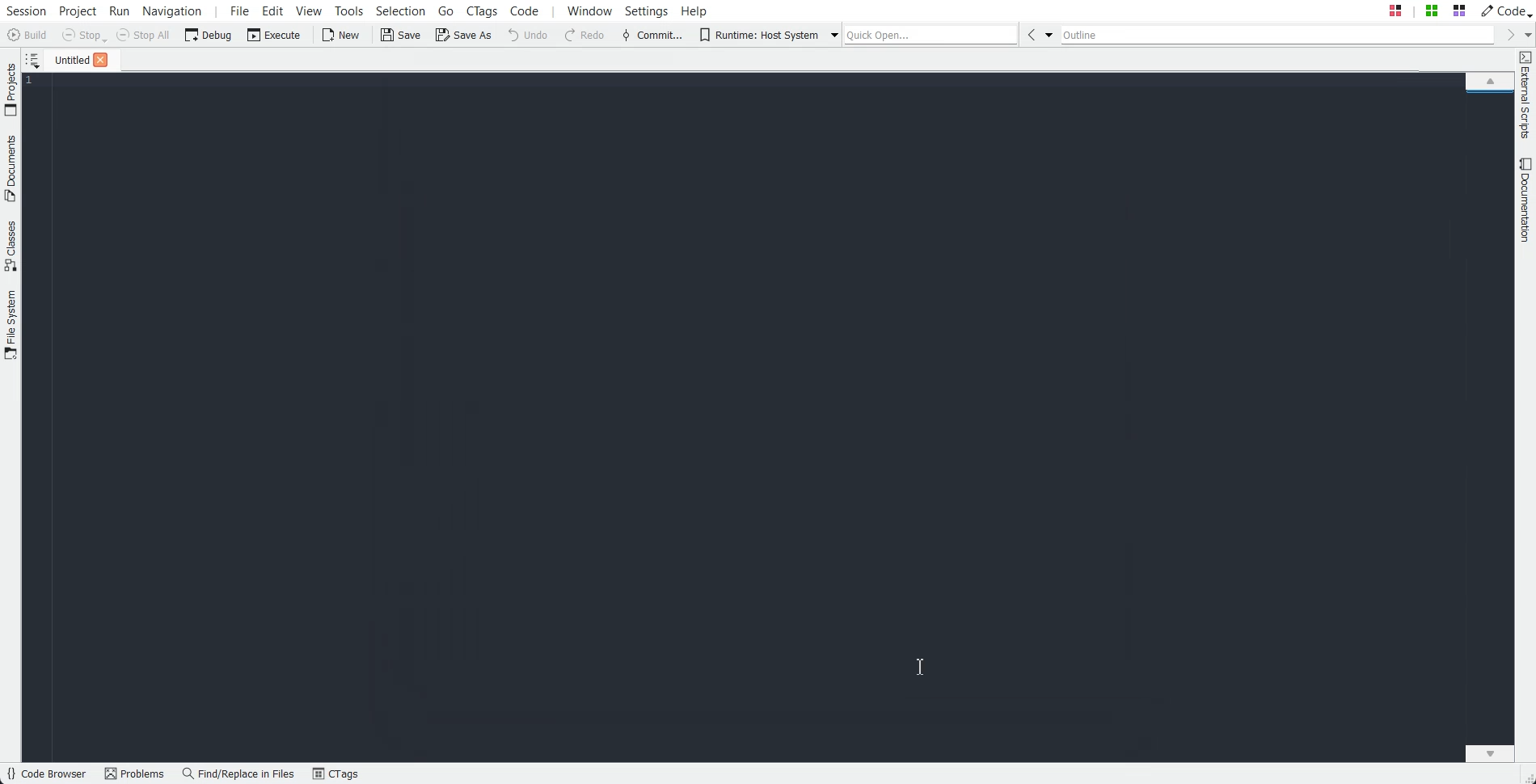 The height and width of the screenshot is (784, 1536). Describe the element at coordinates (209, 34) in the screenshot. I see `Debug` at that location.